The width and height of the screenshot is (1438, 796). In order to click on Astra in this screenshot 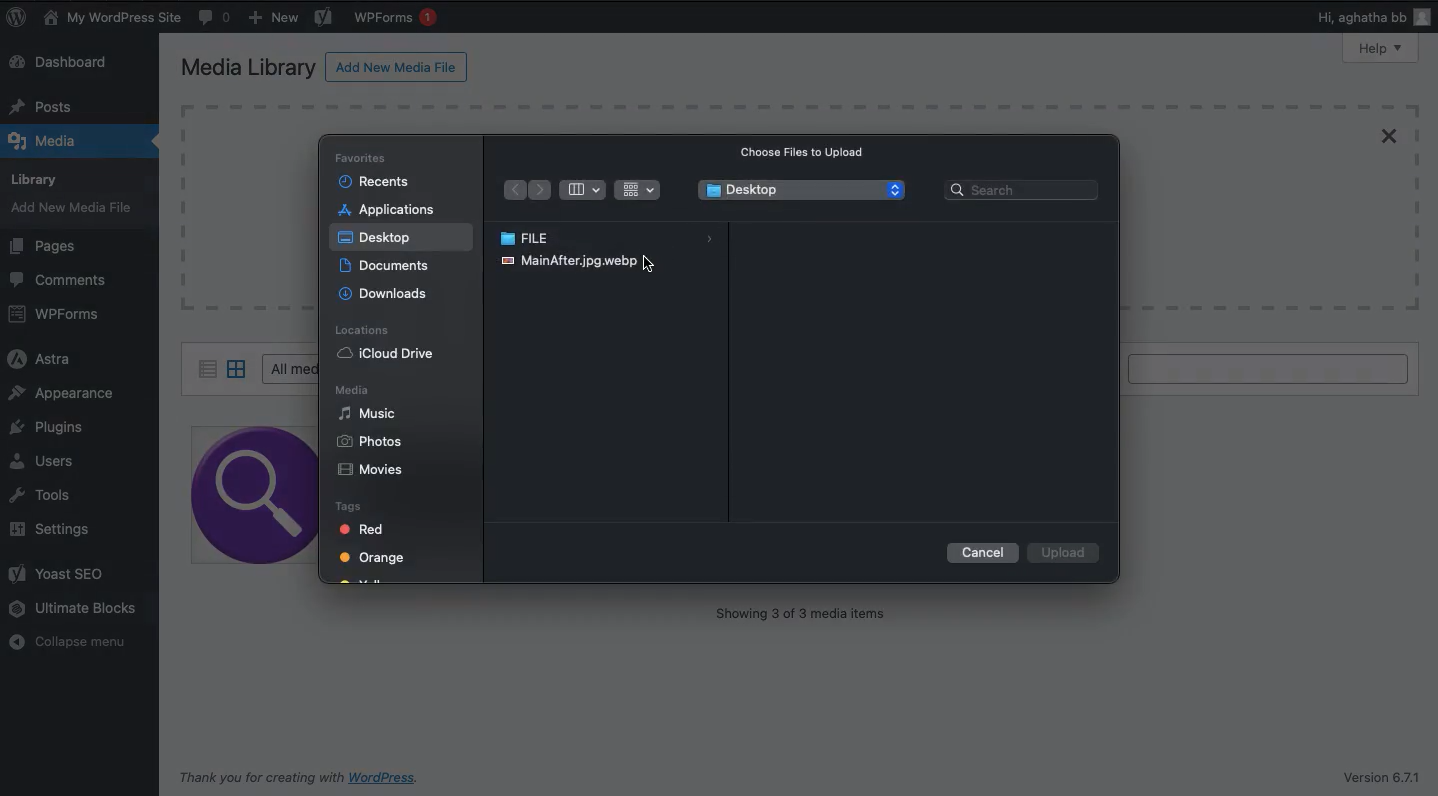, I will do `click(38, 359)`.